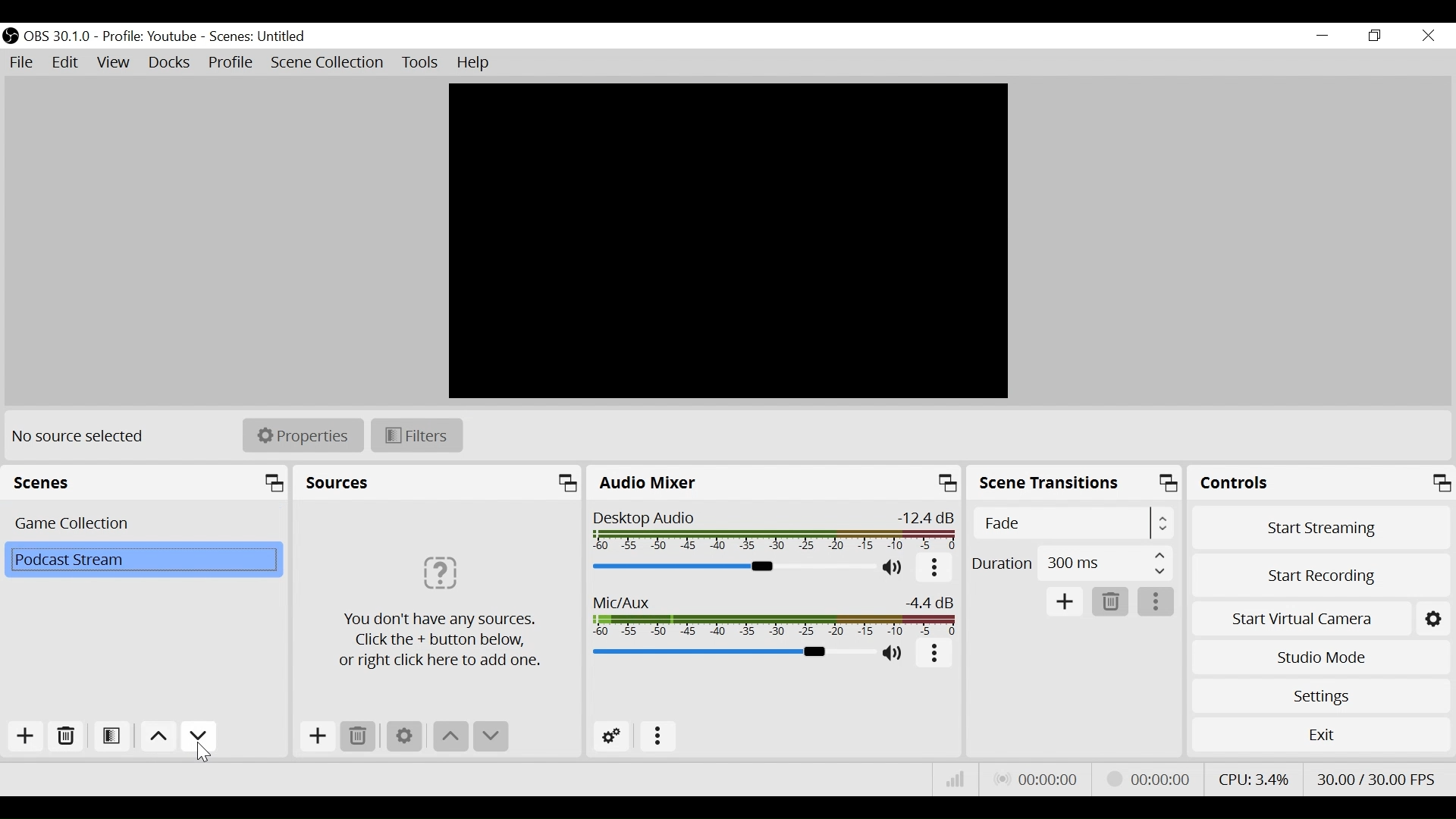 The height and width of the screenshot is (819, 1456). I want to click on Preview, so click(730, 241).